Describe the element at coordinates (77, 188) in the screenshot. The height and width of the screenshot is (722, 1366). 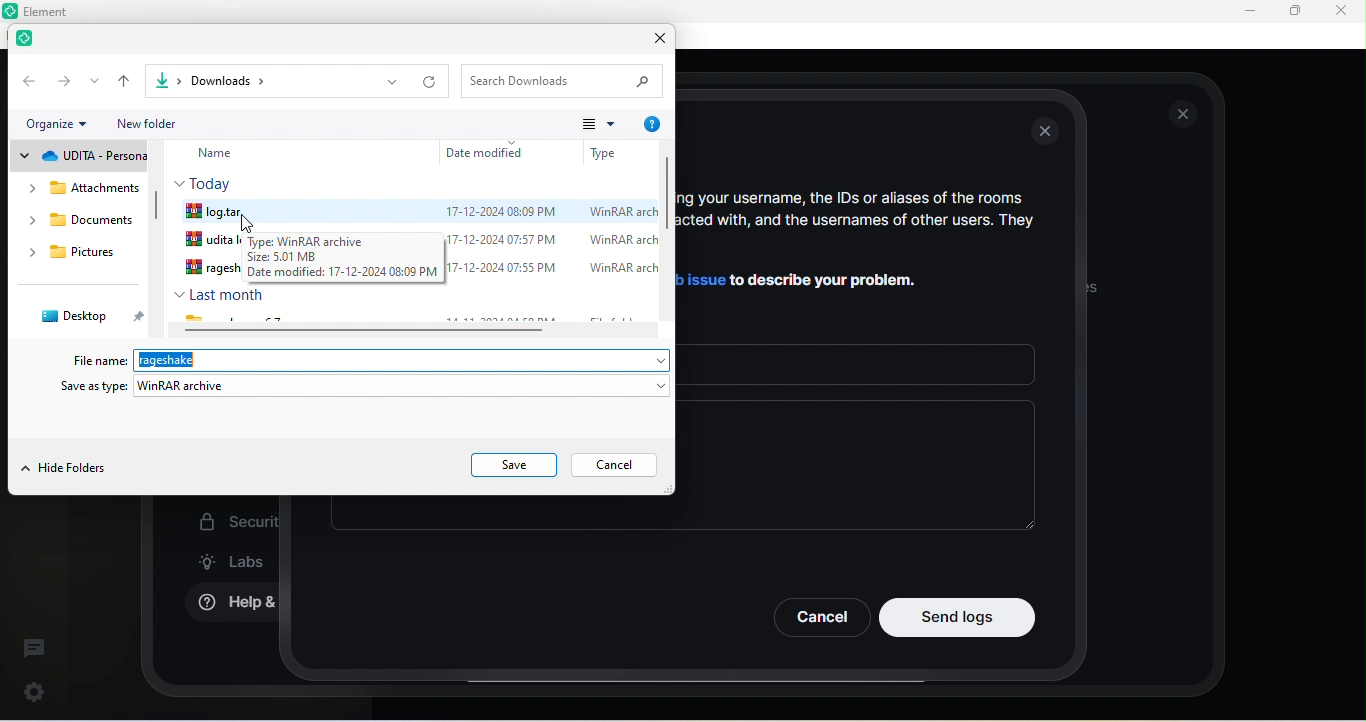
I see `attachments` at that location.